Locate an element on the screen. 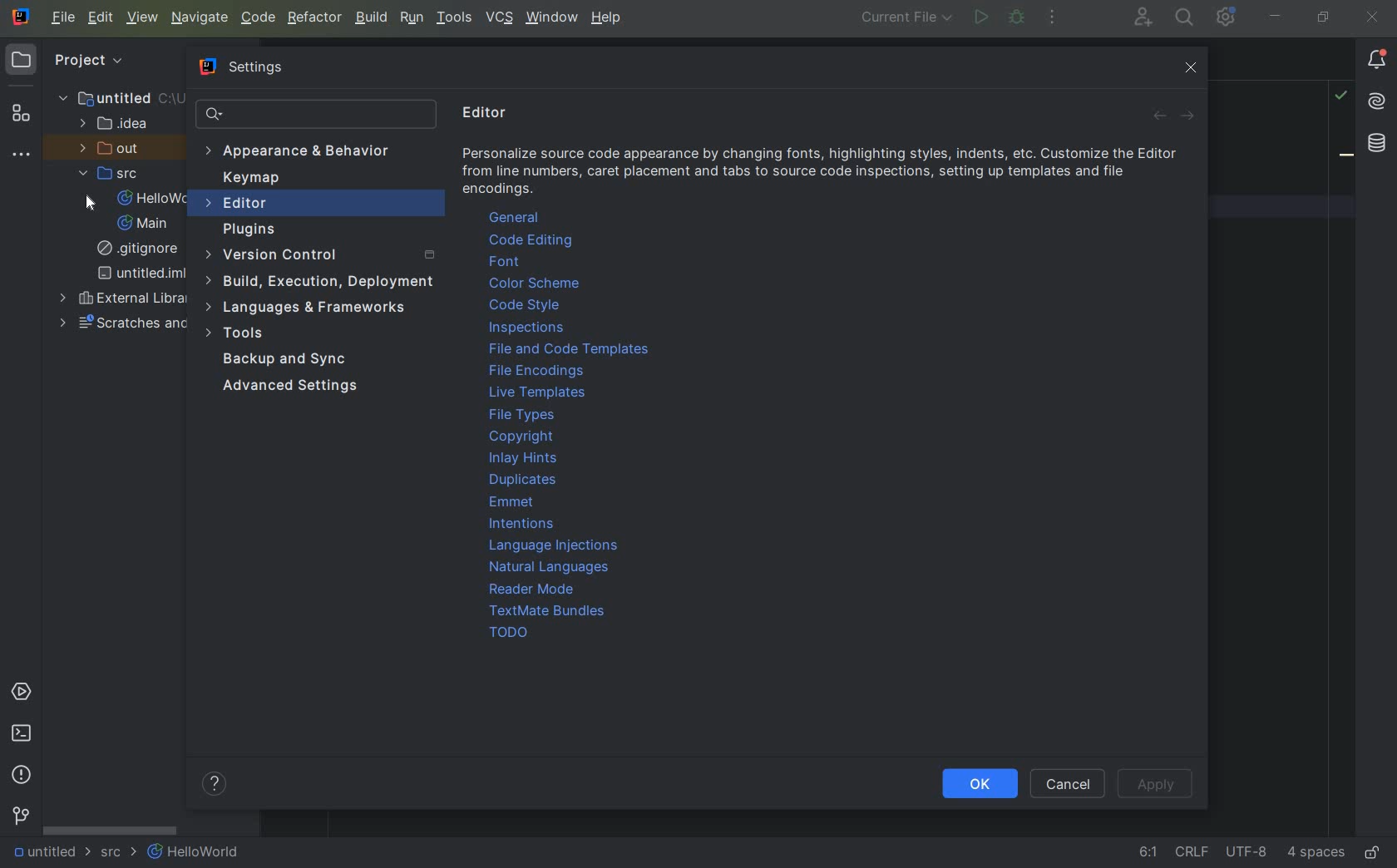  more actions is located at coordinates (1055, 20).